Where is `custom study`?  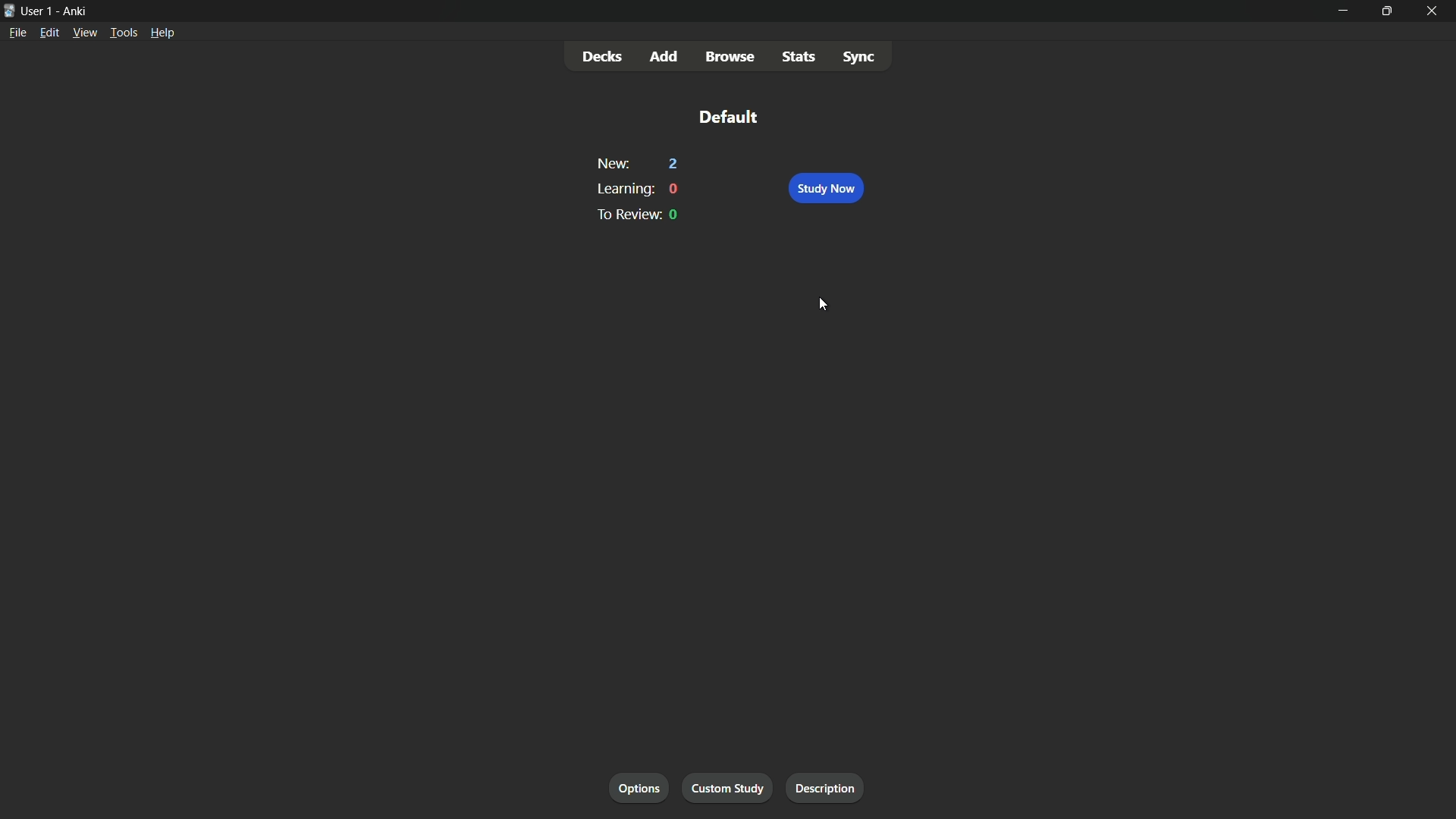
custom study is located at coordinates (730, 786).